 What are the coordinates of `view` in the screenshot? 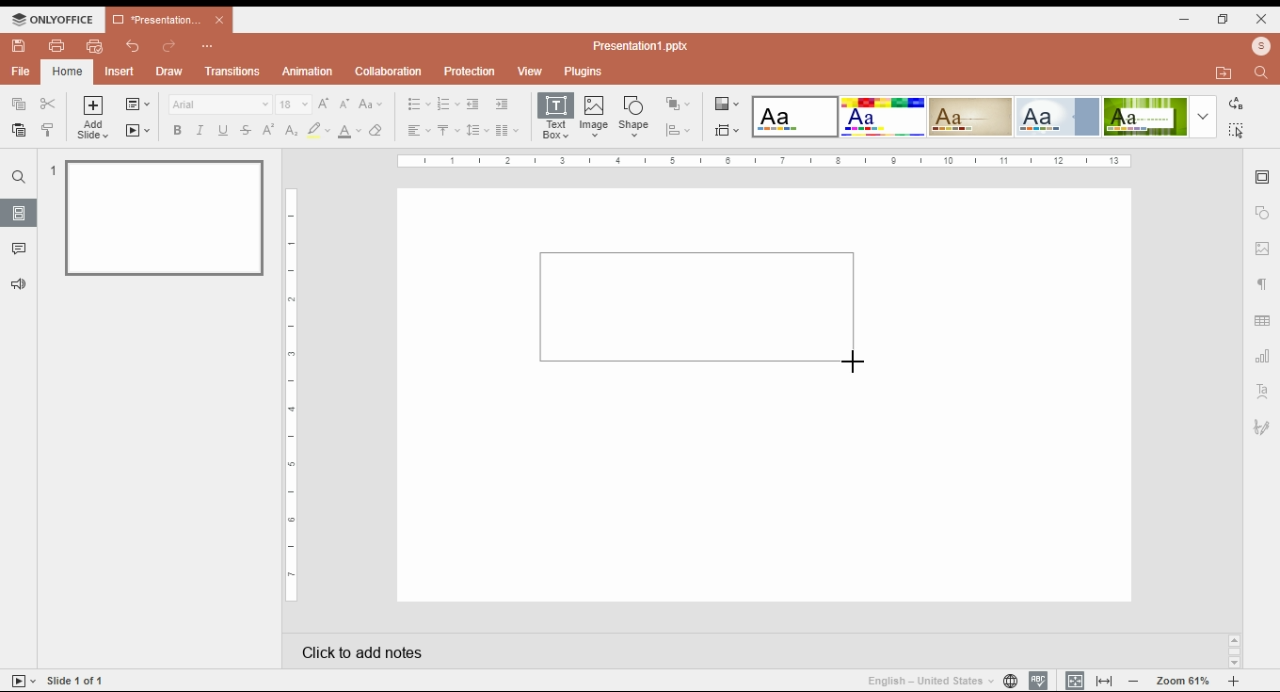 It's located at (530, 71).